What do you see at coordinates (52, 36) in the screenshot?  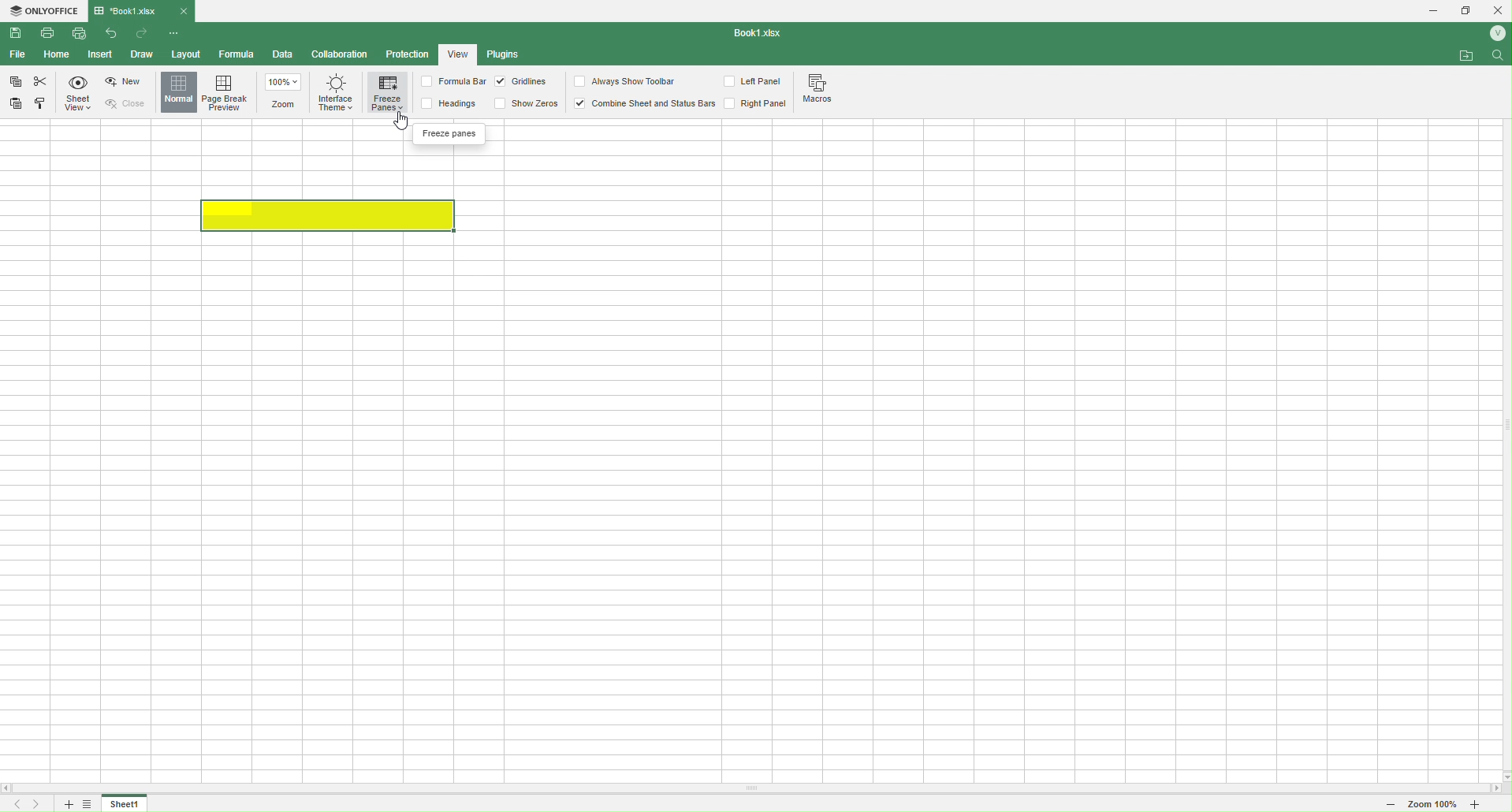 I see `Print File` at bounding box center [52, 36].